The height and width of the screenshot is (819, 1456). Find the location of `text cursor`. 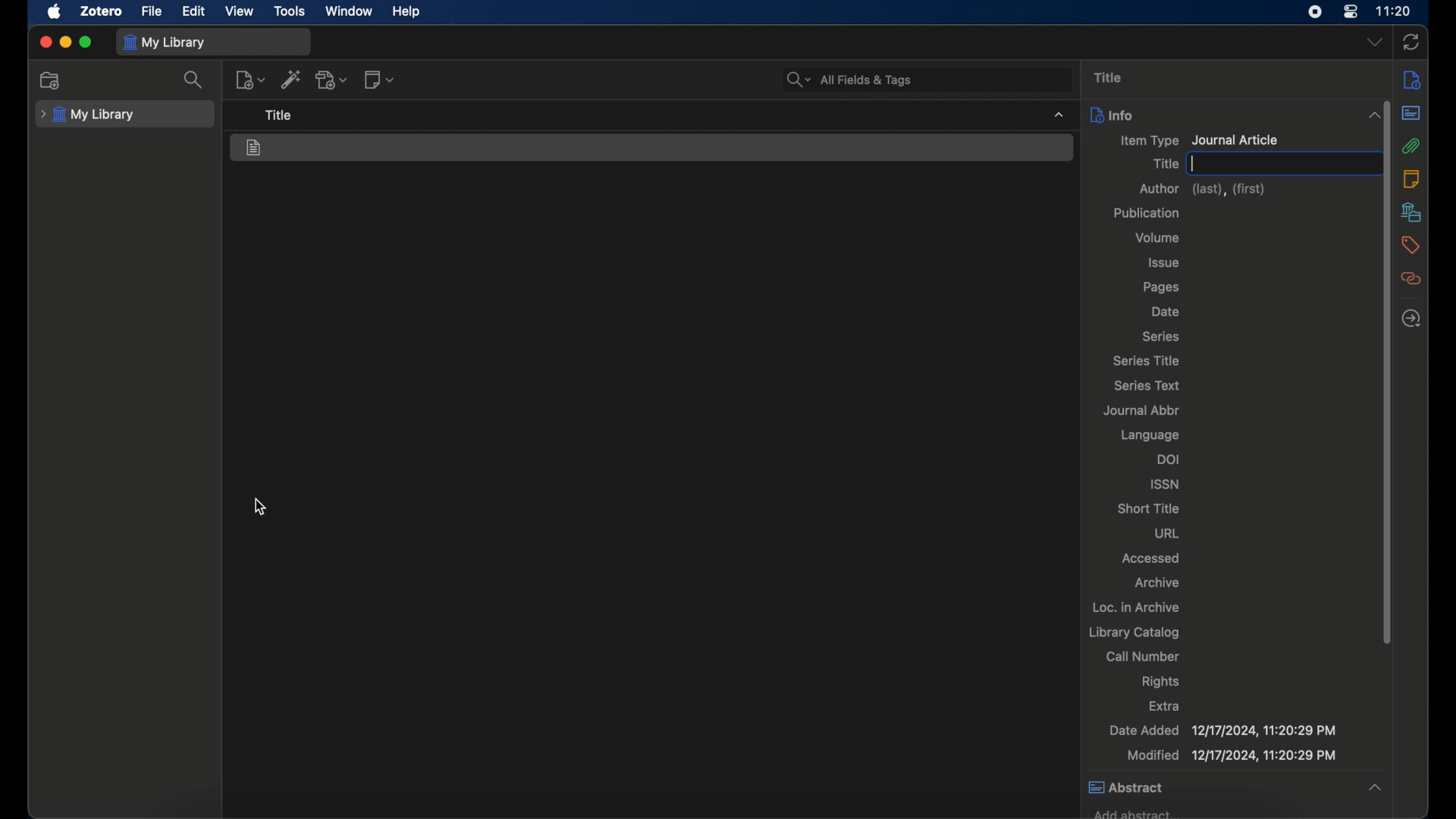

text cursor is located at coordinates (1193, 163).